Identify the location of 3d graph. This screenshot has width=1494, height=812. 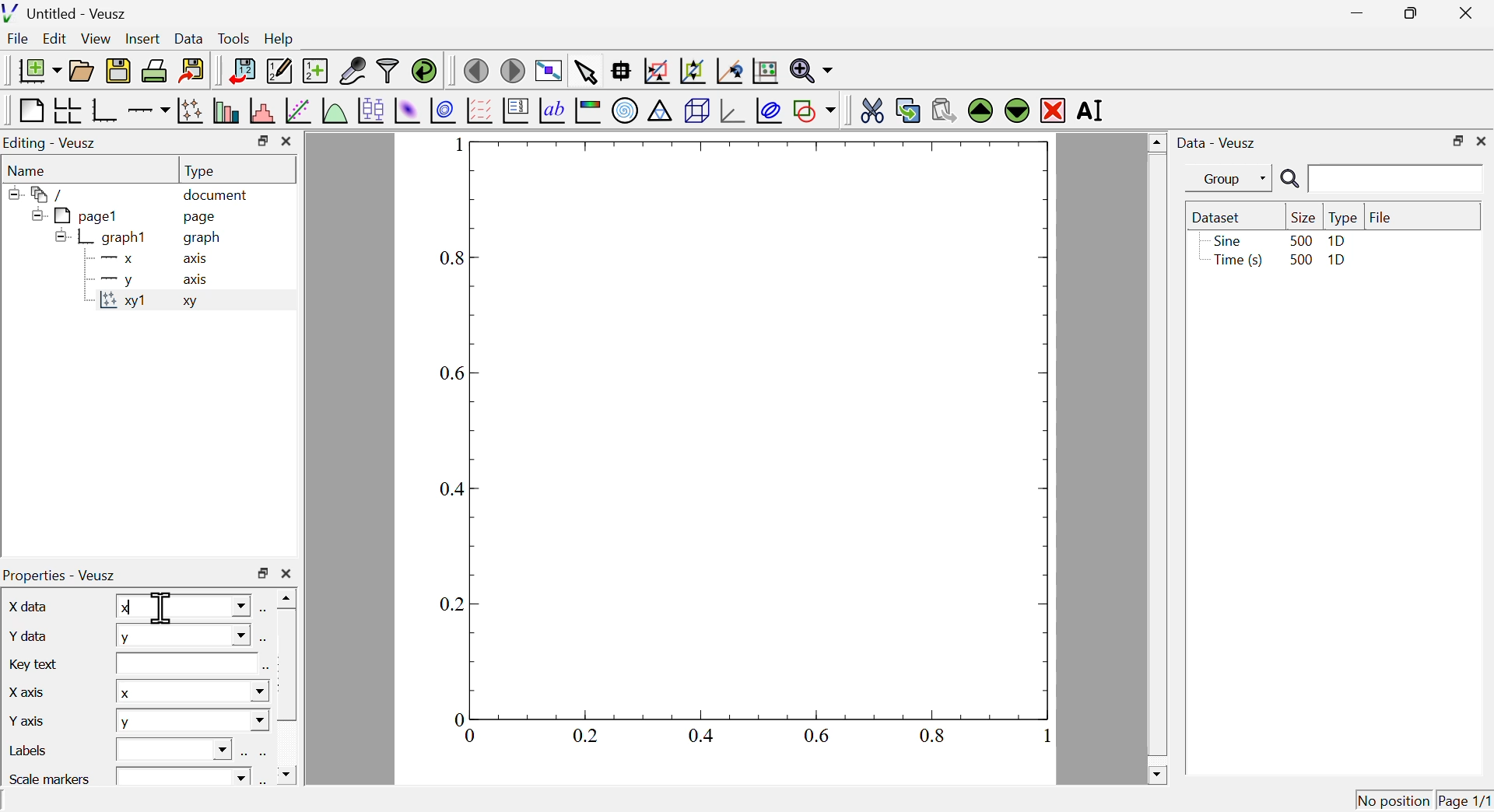
(732, 111).